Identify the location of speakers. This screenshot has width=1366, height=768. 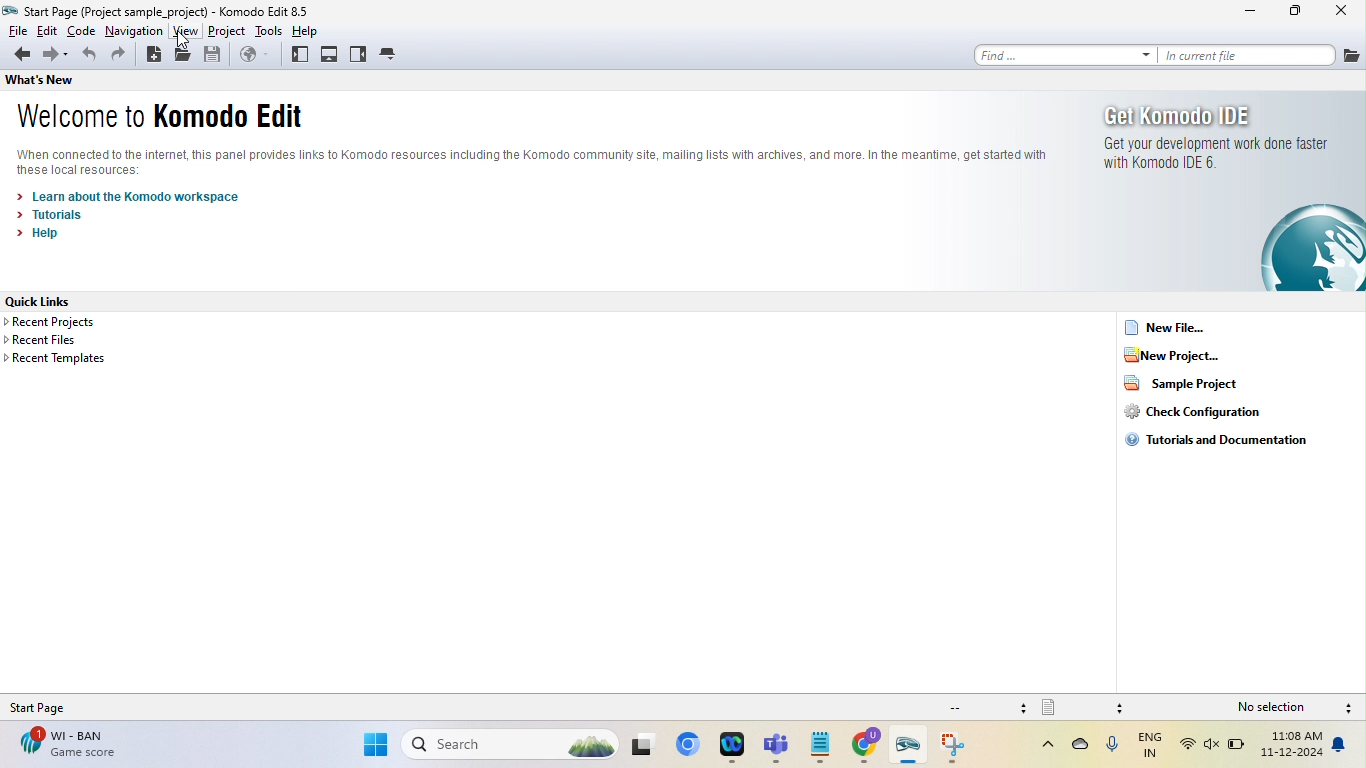
(1213, 746).